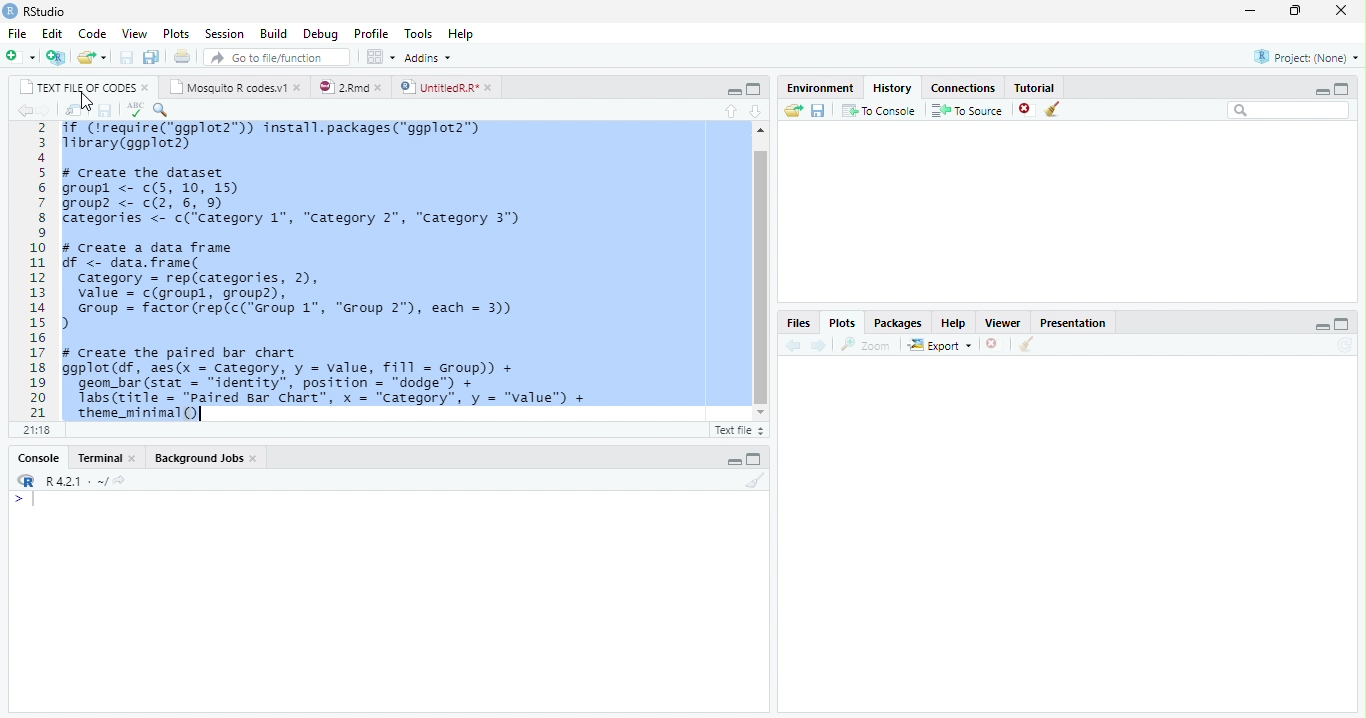 The image size is (1366, 718). Describe the element at coordinates (1306, 55) in the screenshot. I see `project (none)` at that location.